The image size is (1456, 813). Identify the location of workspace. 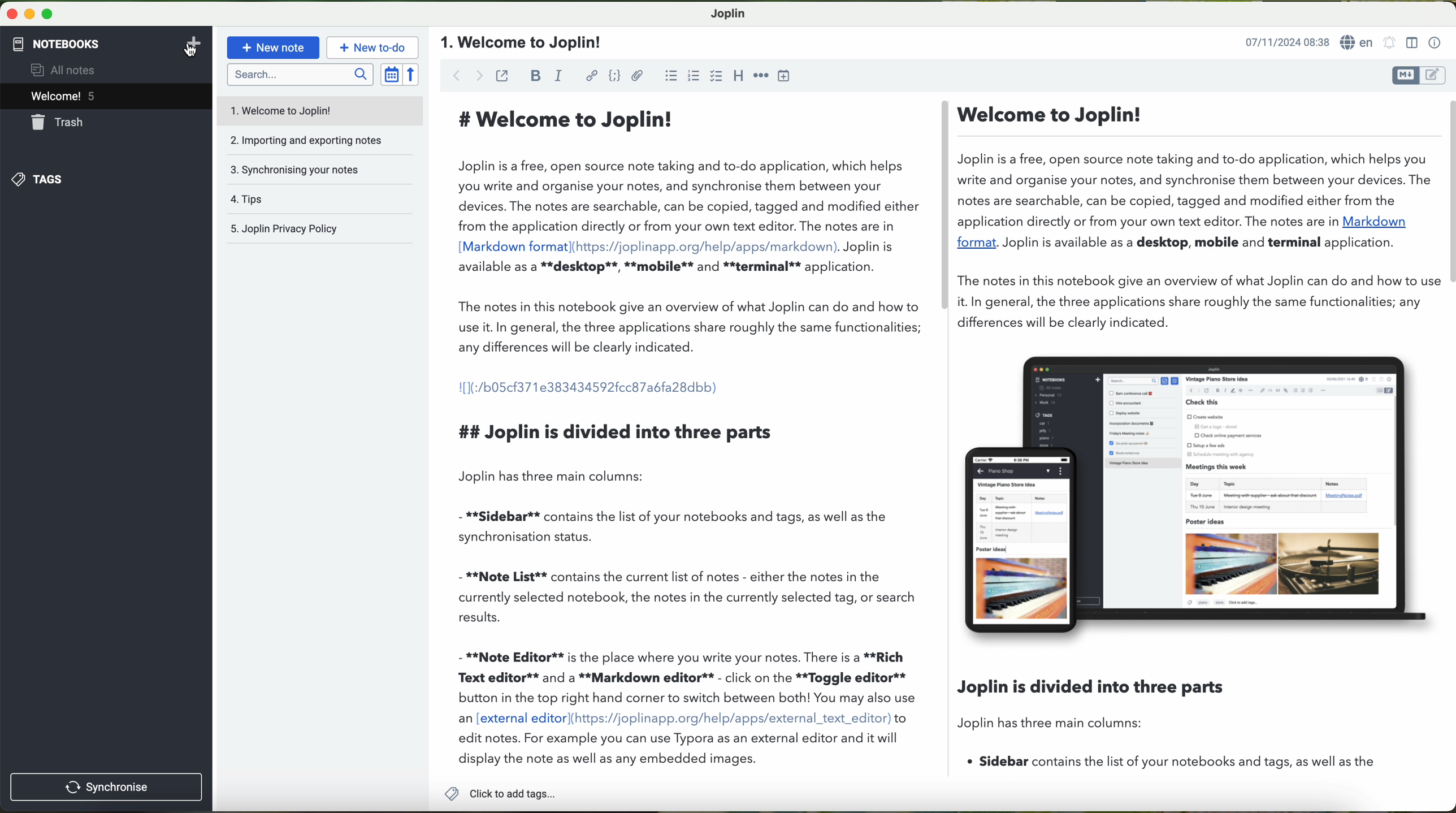
(931, 436).